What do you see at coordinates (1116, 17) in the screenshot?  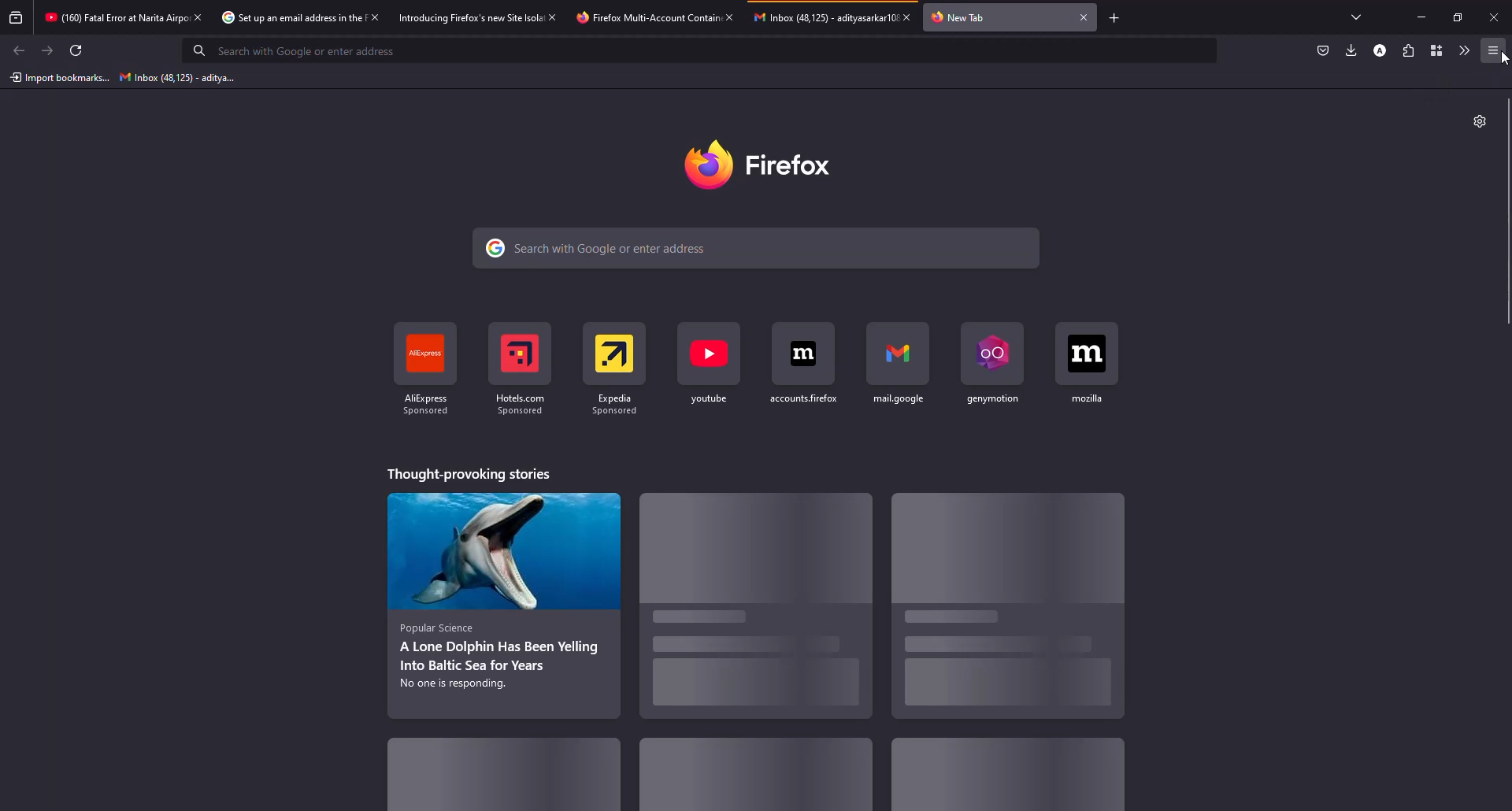 I see `add tab` at bounding box center [1116, 17].